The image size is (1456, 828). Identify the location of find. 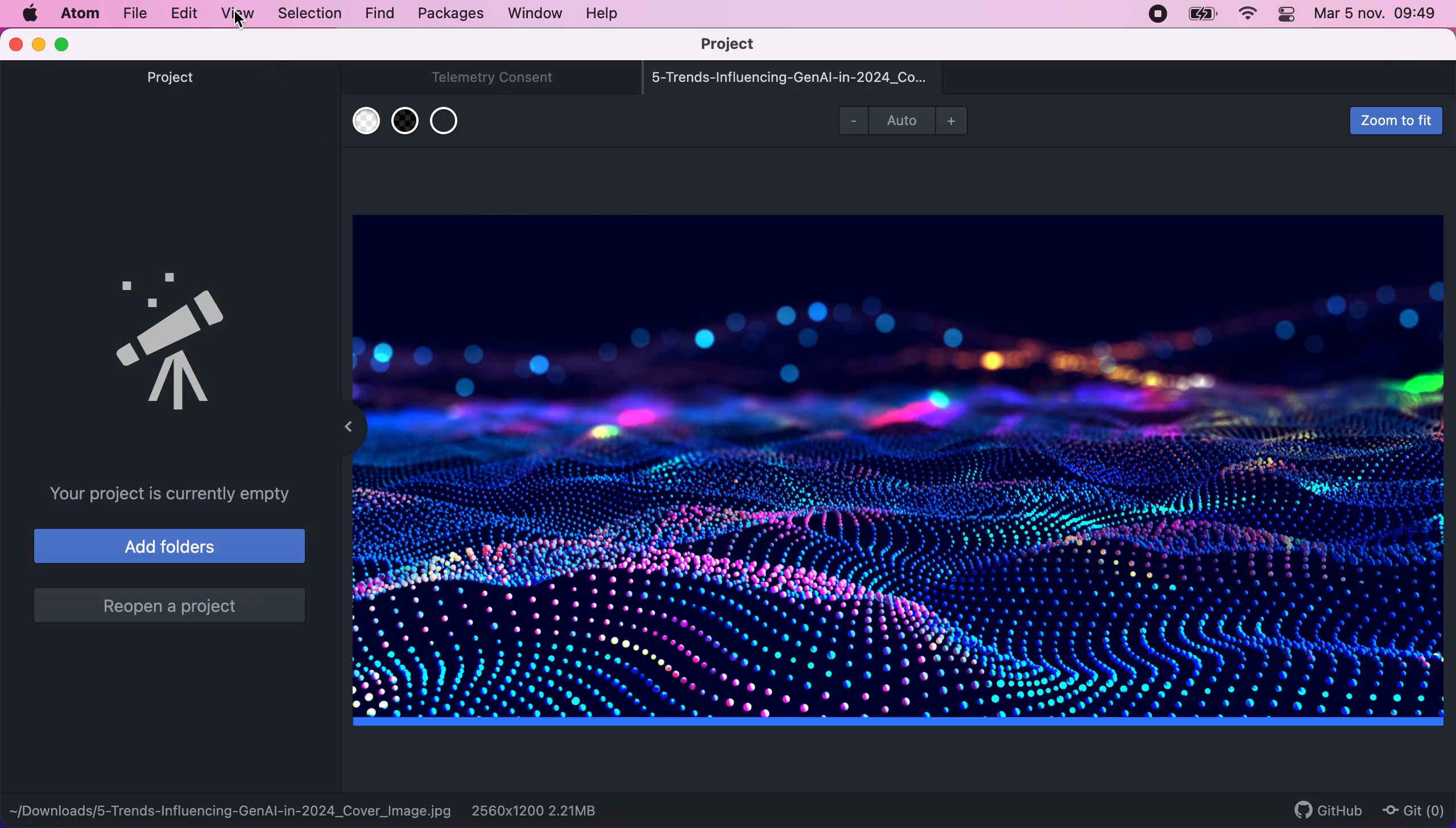
(377, 13).